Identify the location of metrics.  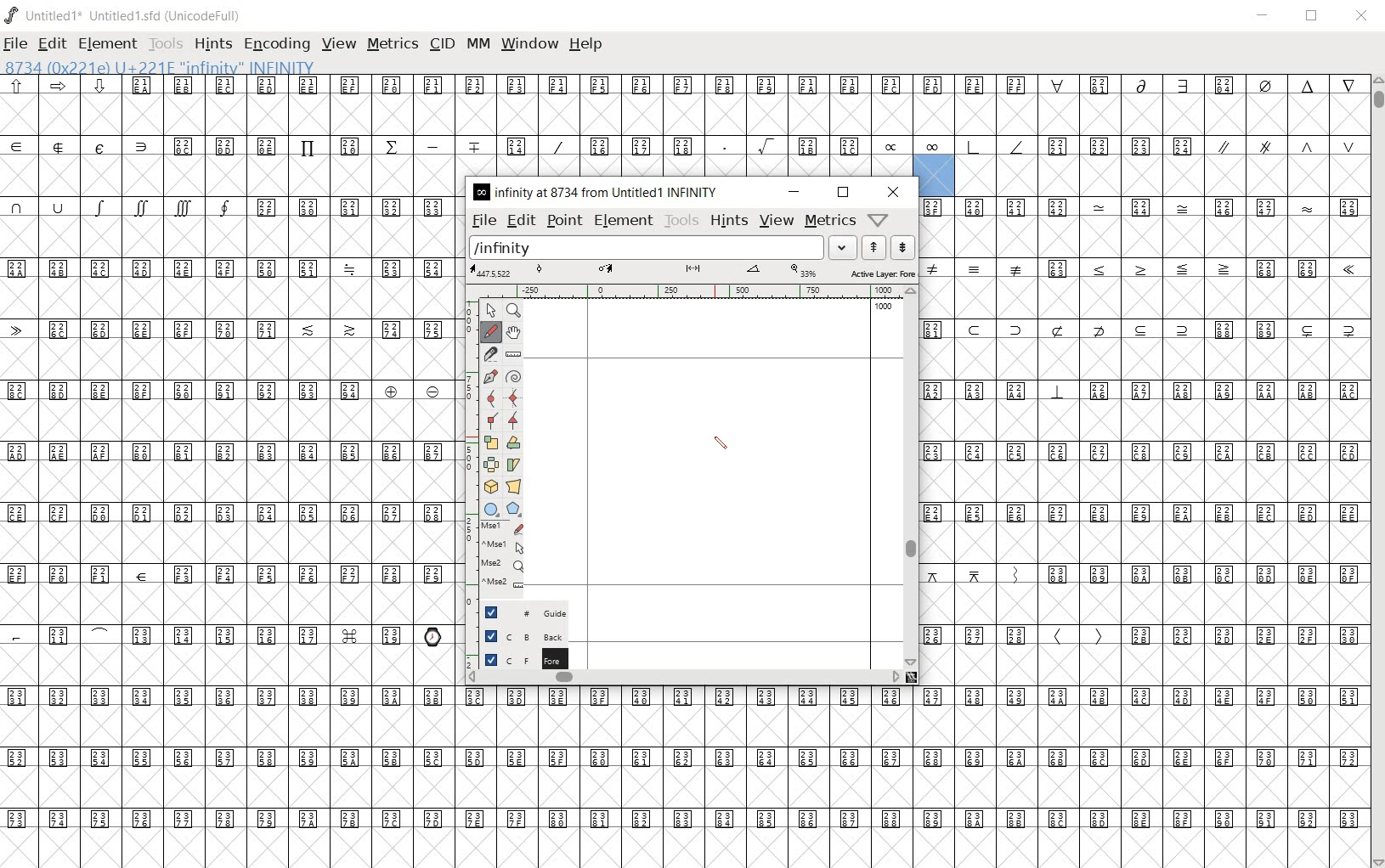
(829, 221).